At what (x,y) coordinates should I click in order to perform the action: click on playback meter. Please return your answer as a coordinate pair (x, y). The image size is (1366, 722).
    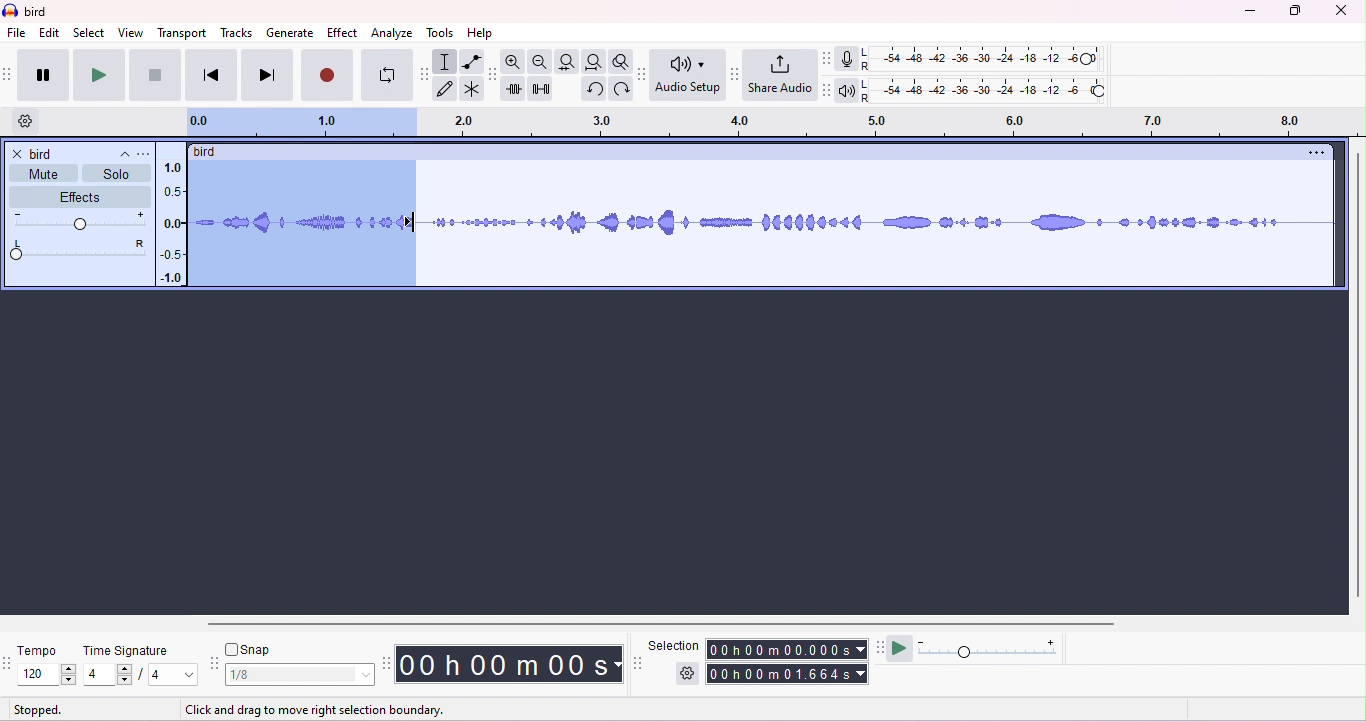
    Looking at the image, I should click on (854, 88).